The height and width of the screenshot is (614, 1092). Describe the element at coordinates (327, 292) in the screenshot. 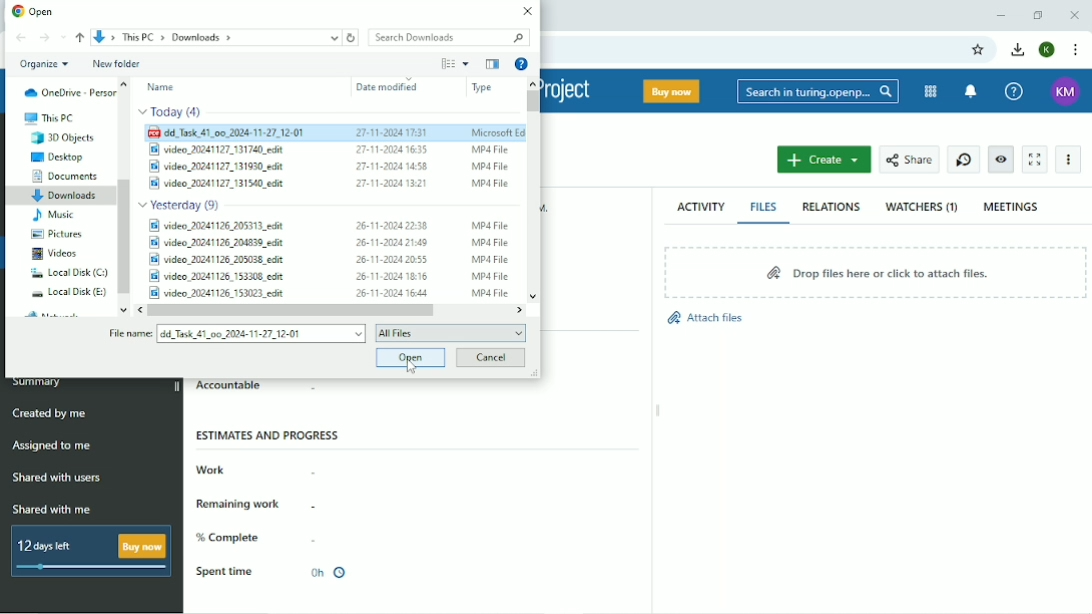

I see `Video file` at that location.